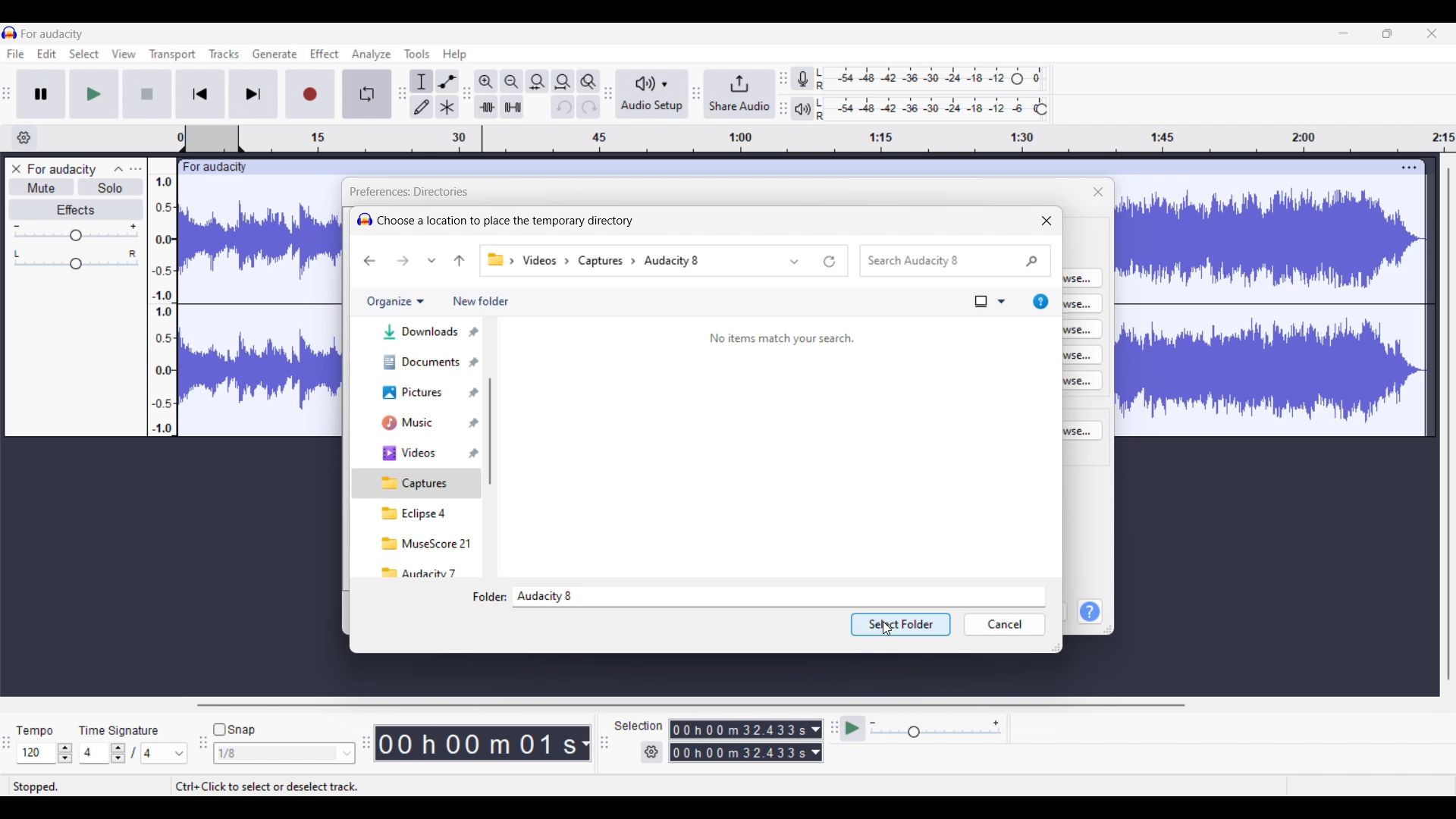 The height and width of the screenshot is (819, 1456). I want to click on Current timestamp of track, so click(476, 743).